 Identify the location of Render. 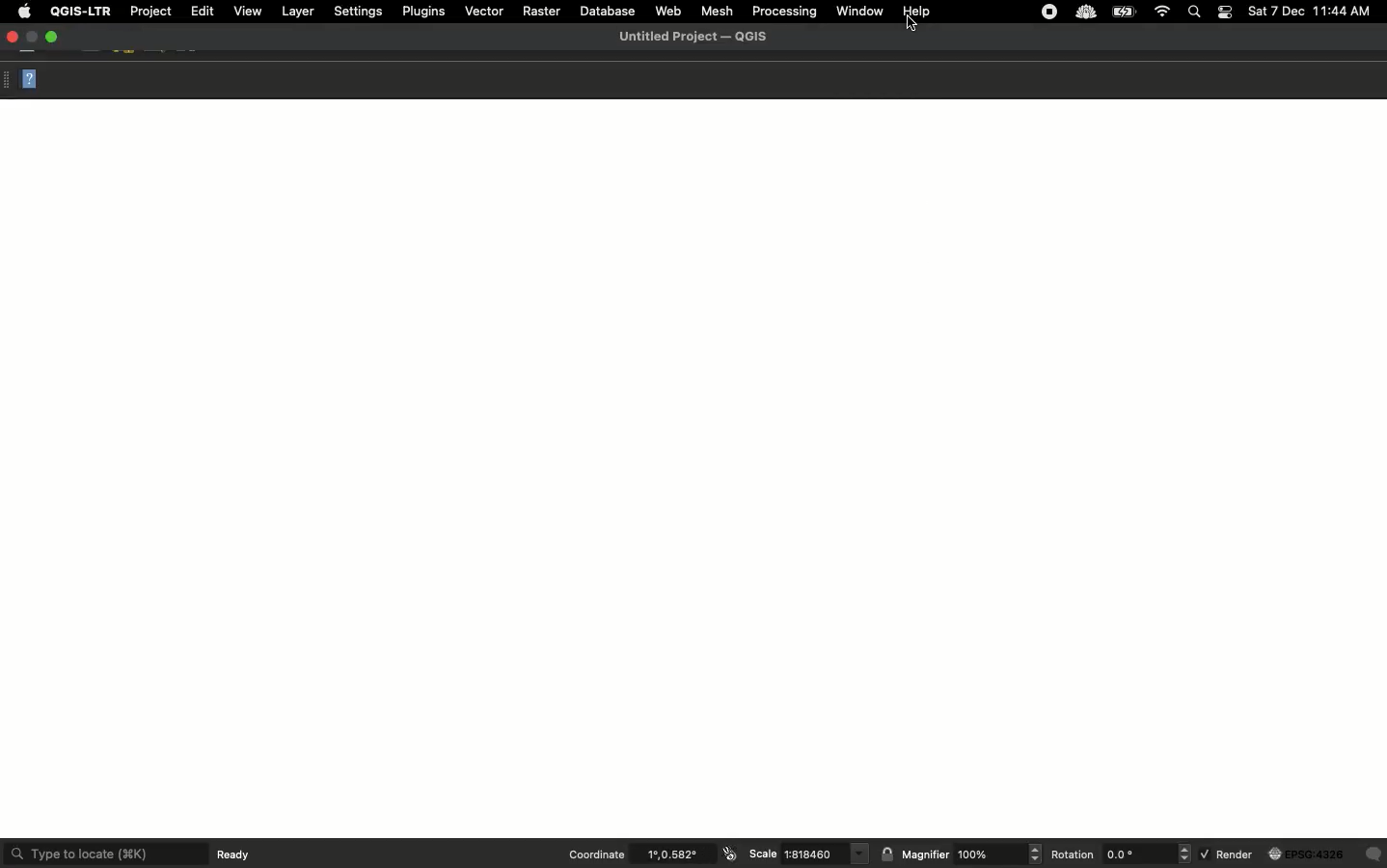
(1292, 857).